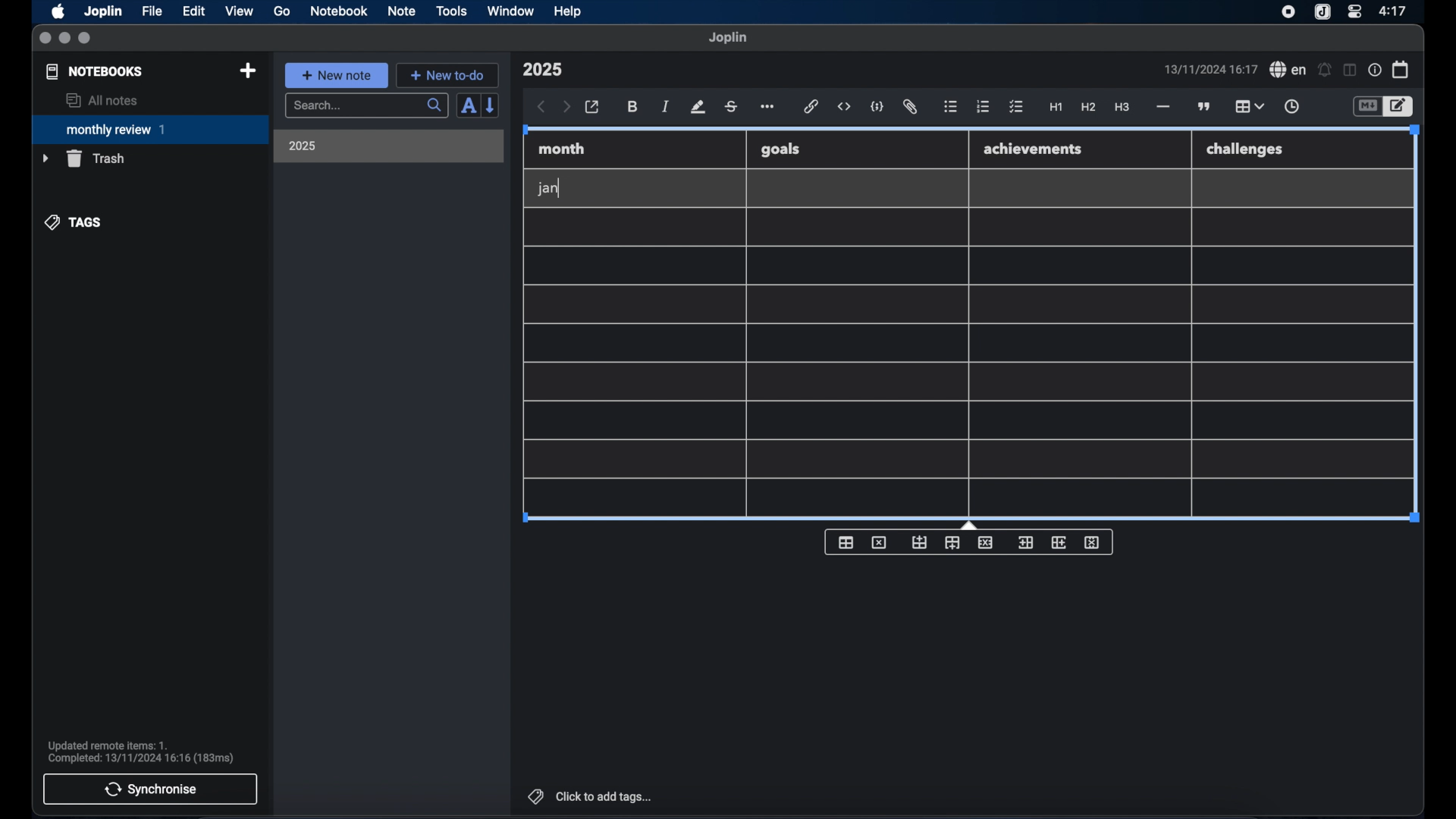  What do you see at coordinates (698, 107) in the screenshot?
I see `highlight` at bounding box center [698, 107].